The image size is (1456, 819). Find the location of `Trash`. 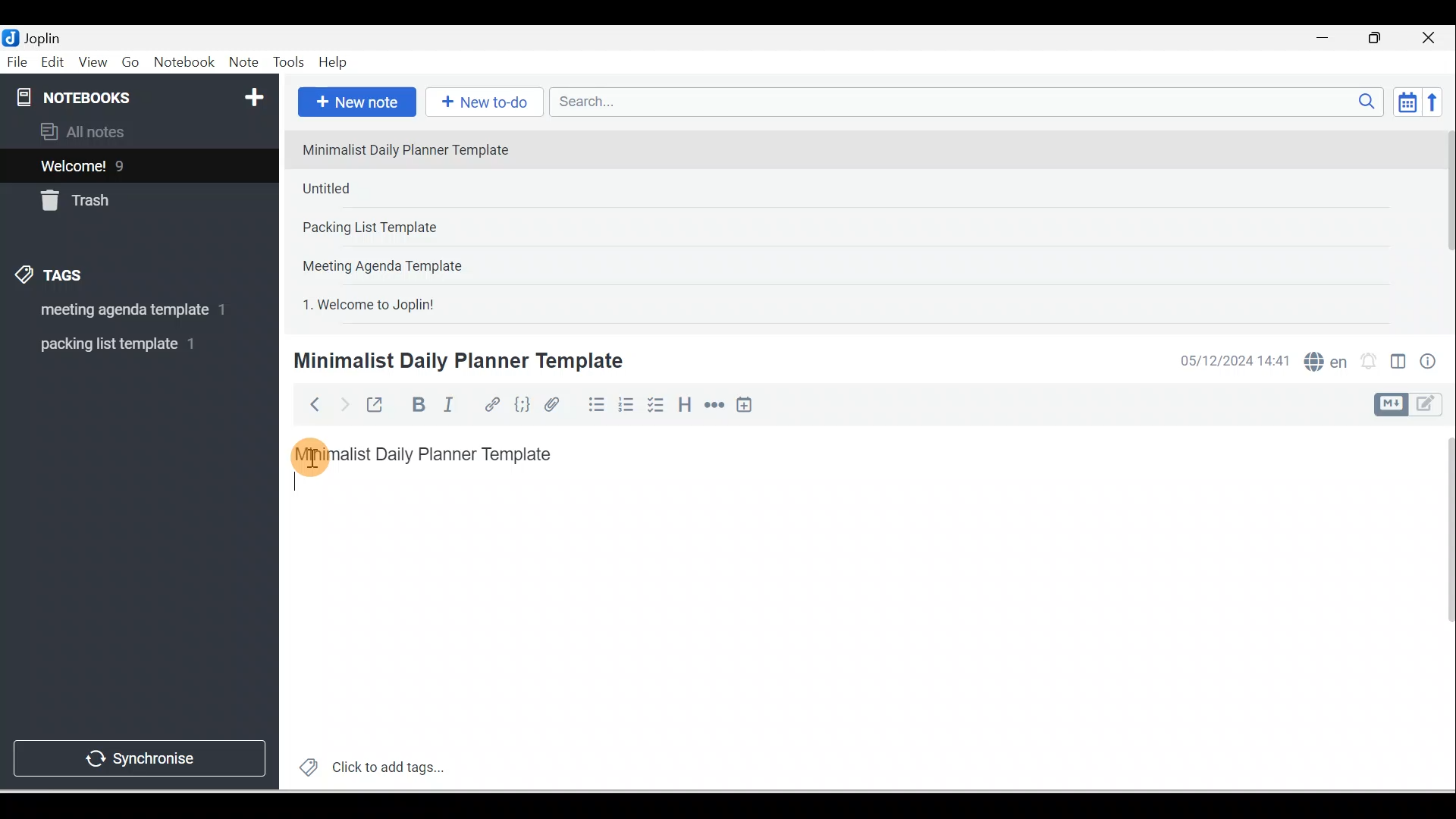

Trash is located at coordinates (111, 196).